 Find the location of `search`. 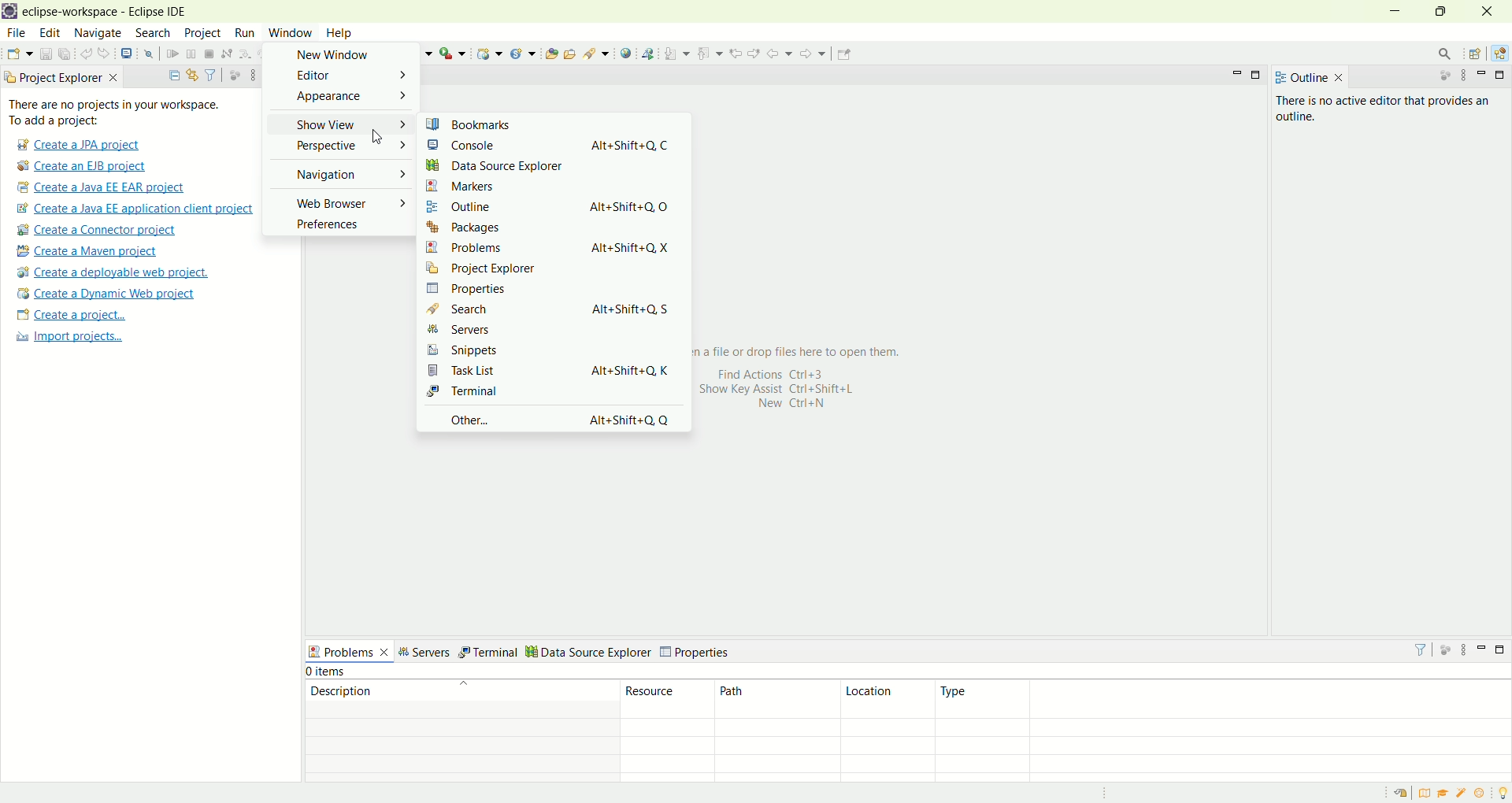

search is located at coordinates (595, 54).